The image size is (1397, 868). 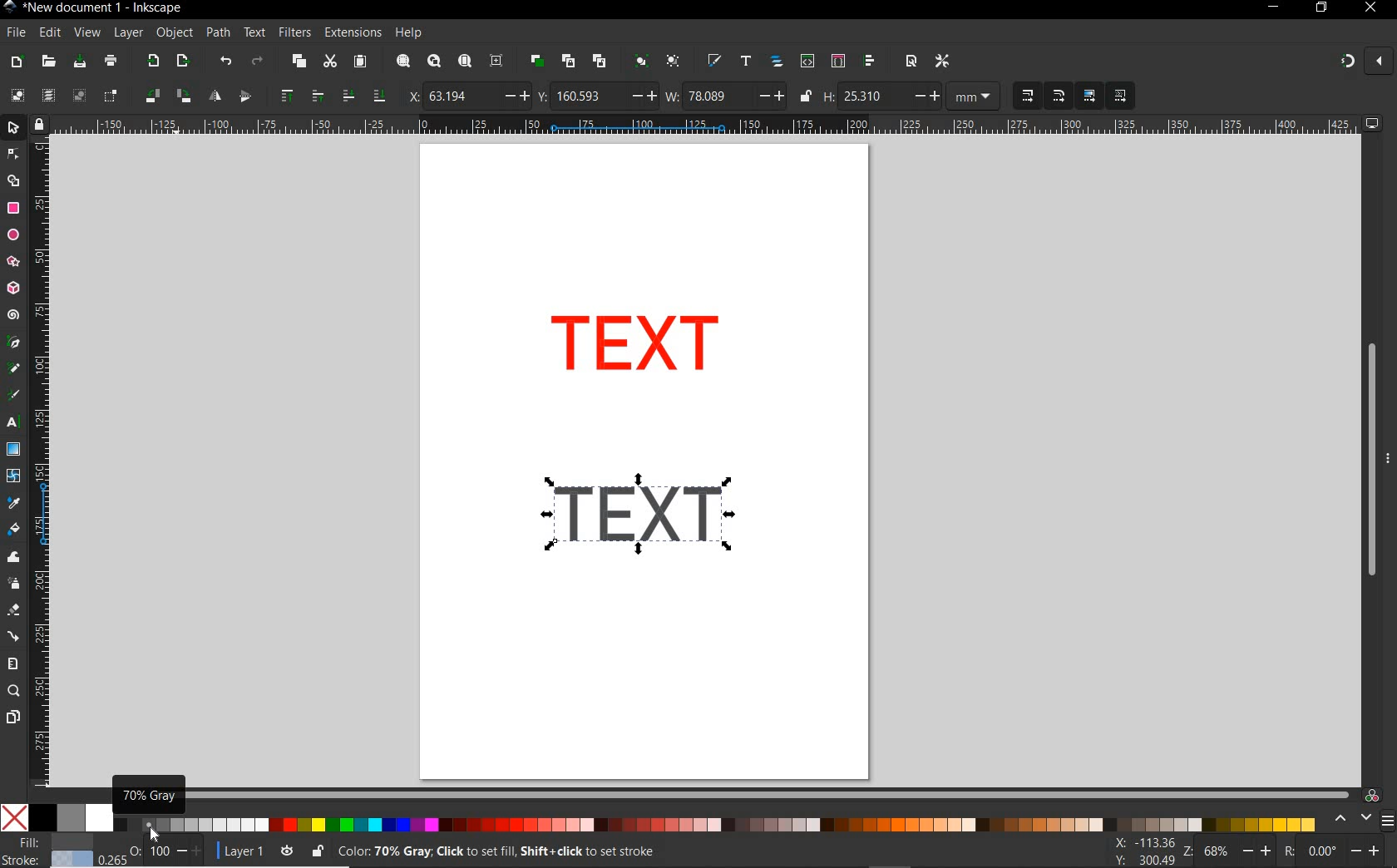 What do you see at coordinates (80, 62) in the screenshot?
I see `save` at bounding box center [80, 62].